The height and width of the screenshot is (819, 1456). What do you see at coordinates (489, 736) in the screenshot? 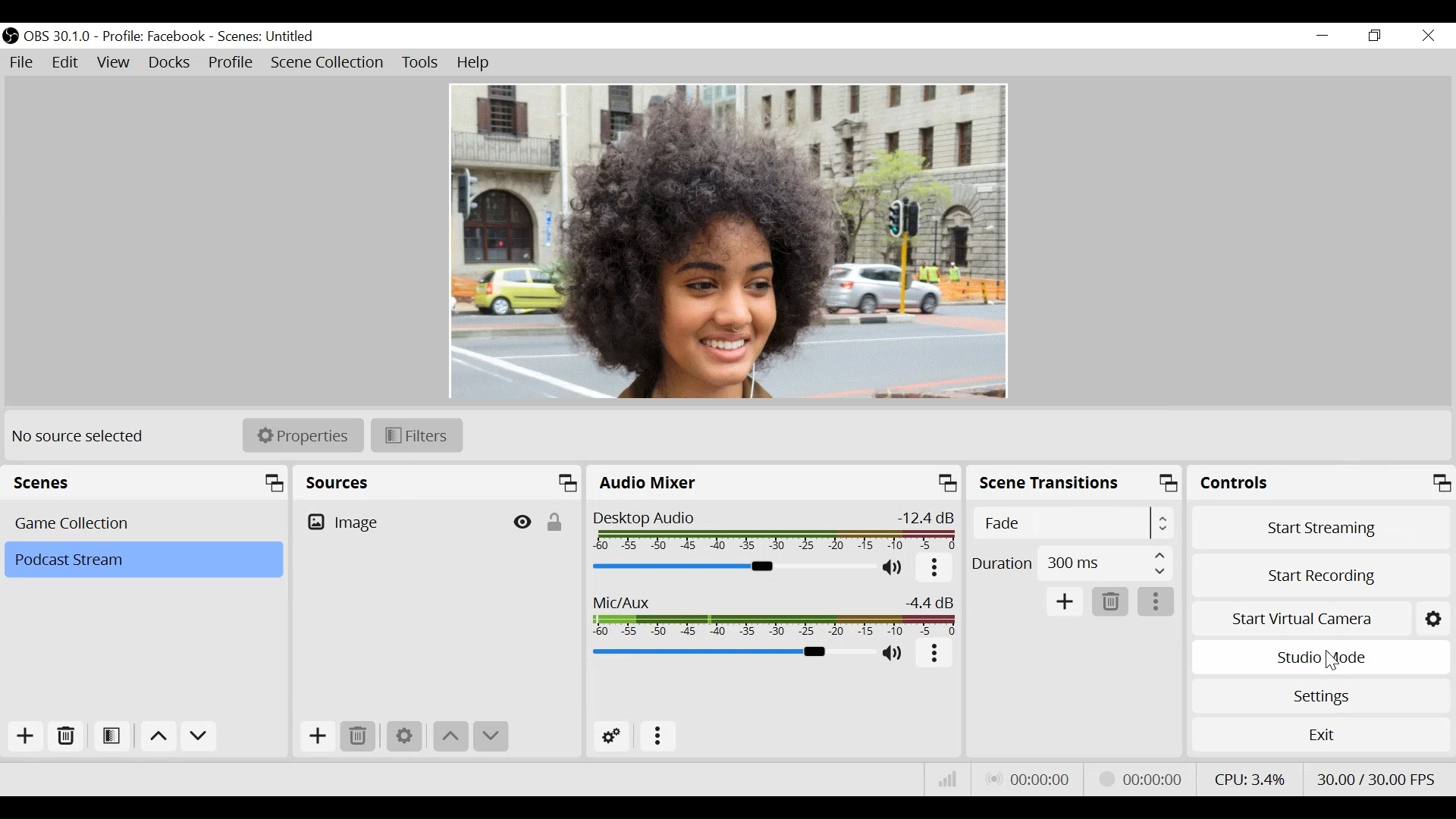
I see `move down ` at bounding box center [489, 736].